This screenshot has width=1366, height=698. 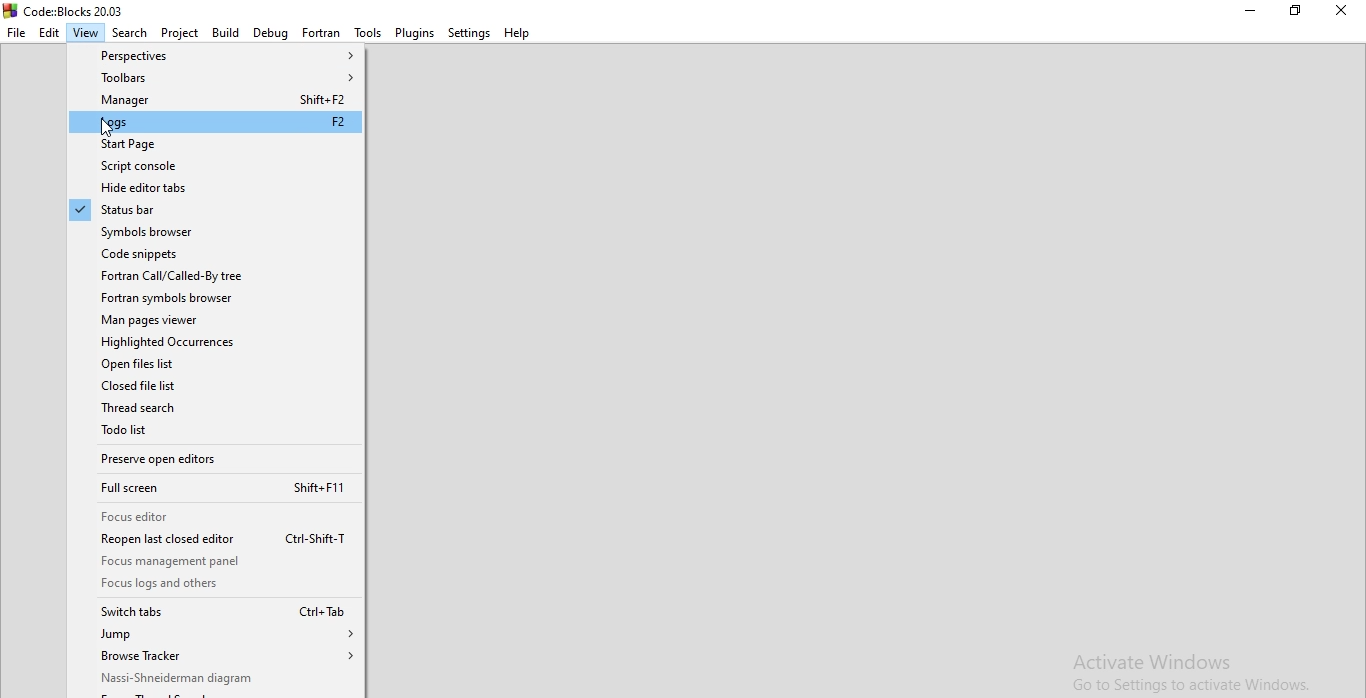 I want to click on switch tabs, so click(x=217, y=612).